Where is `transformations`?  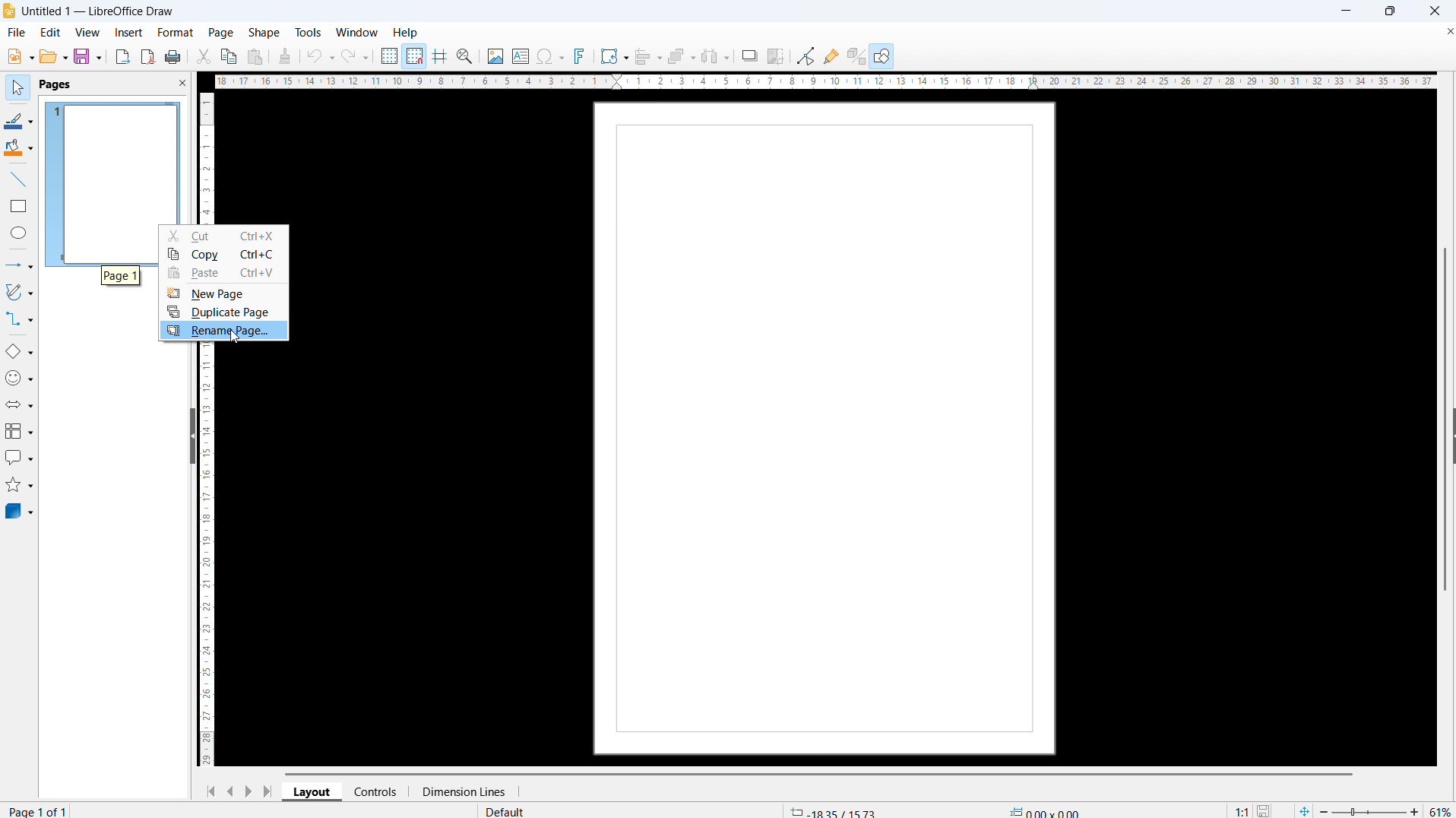
transformations is located at coordinates (614, 55).